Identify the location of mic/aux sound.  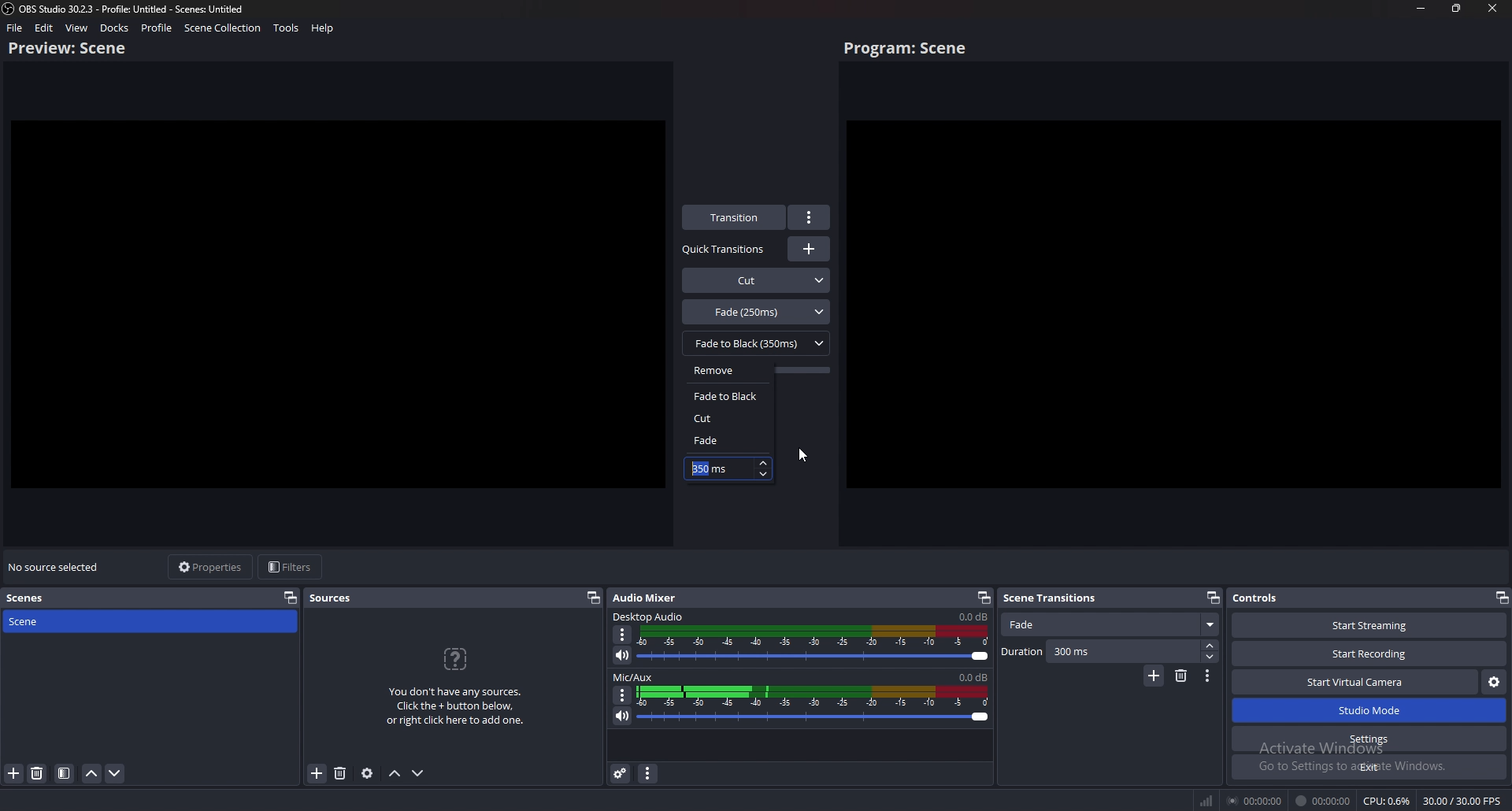
(972, 676).